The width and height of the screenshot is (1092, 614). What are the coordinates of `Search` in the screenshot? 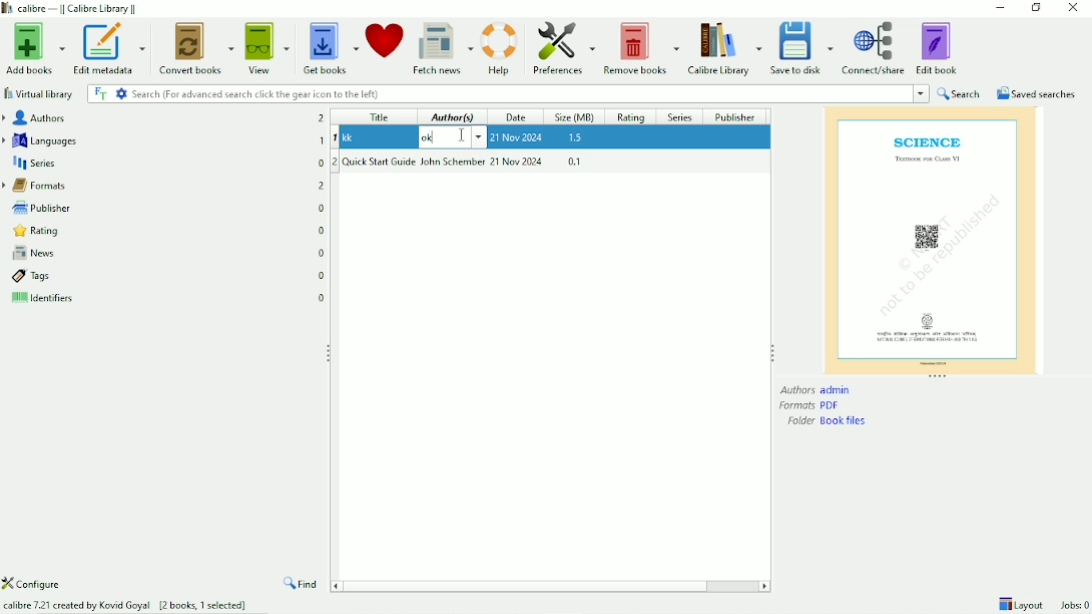 It's located at (960, 93).